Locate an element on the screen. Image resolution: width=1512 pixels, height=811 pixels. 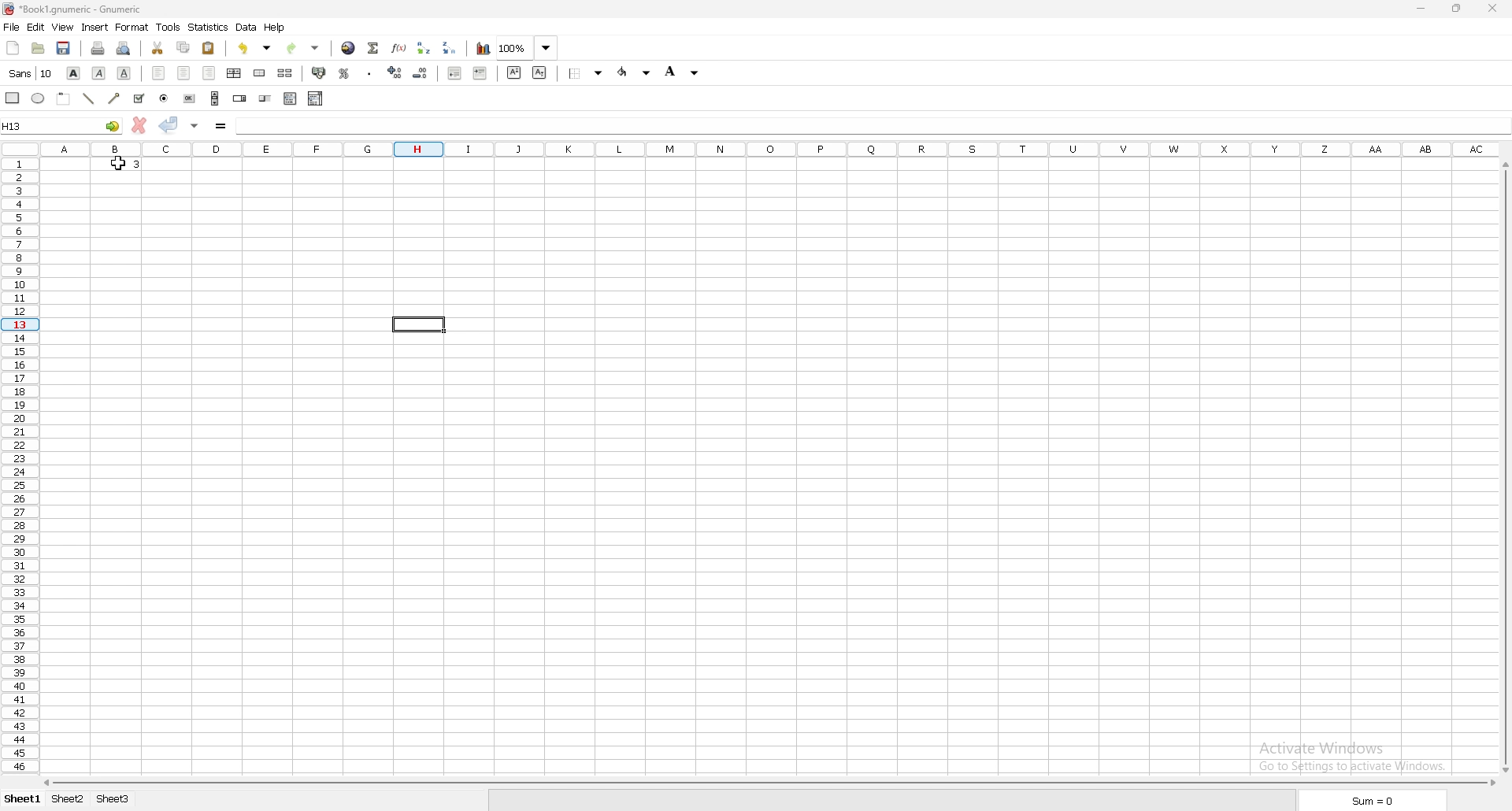
slider is located at coordinates (266, 98).